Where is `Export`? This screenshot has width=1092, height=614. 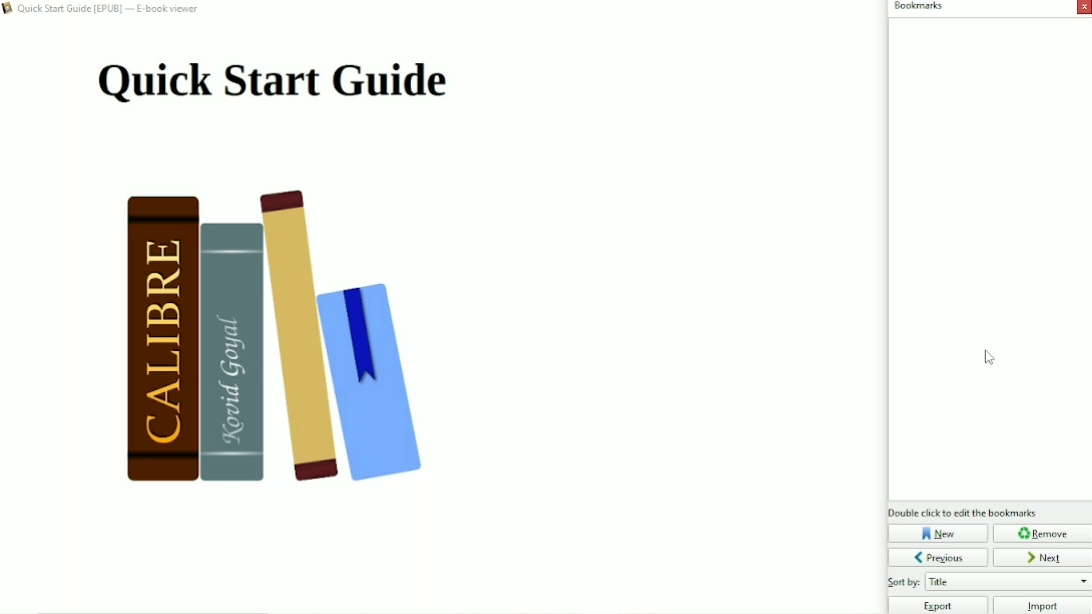
Export is located at coordinates (938, 605).